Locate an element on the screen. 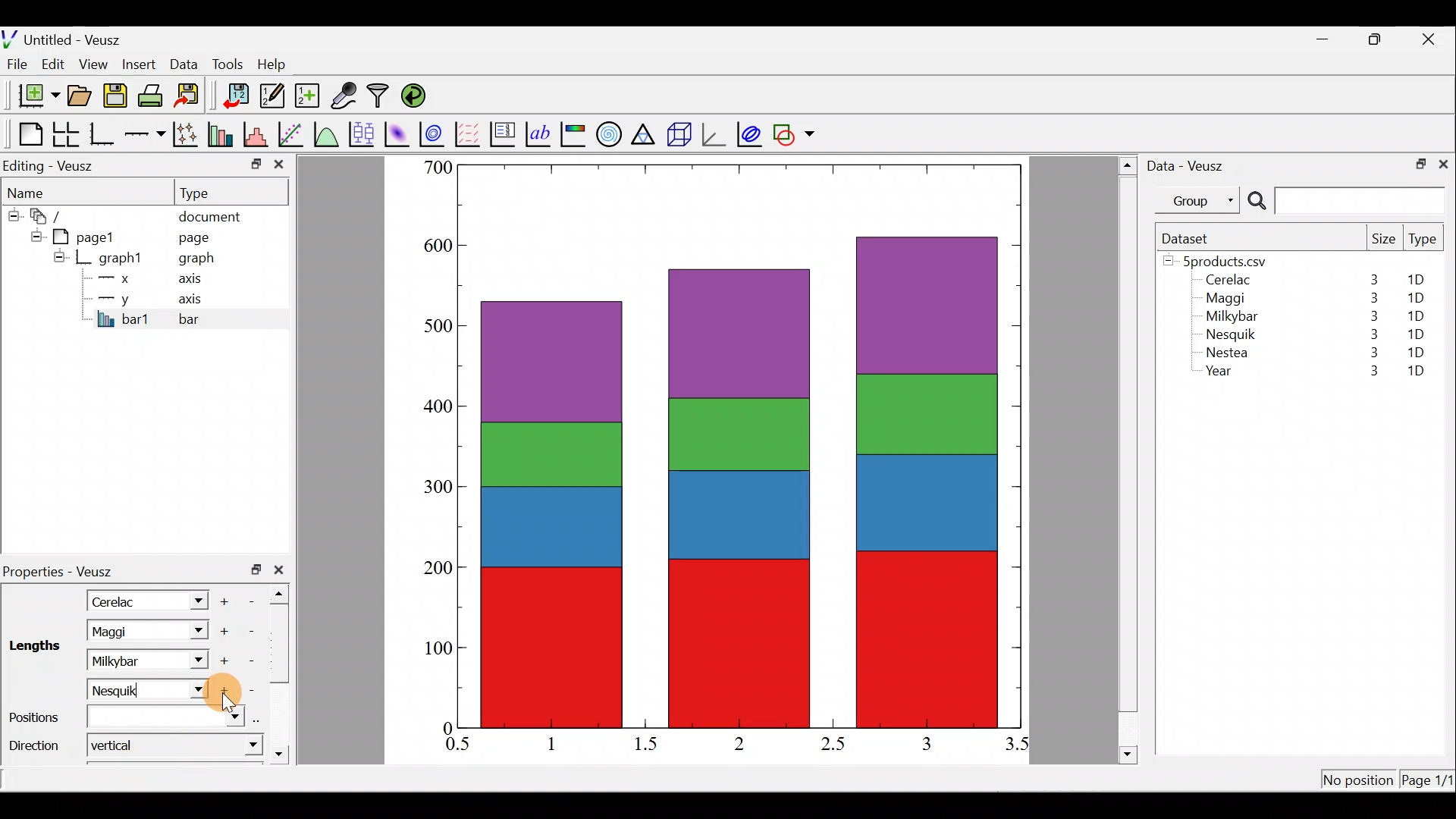 The height and width of the screenshot is (819, 1456). minimize is located at coordinates (1330, 38).